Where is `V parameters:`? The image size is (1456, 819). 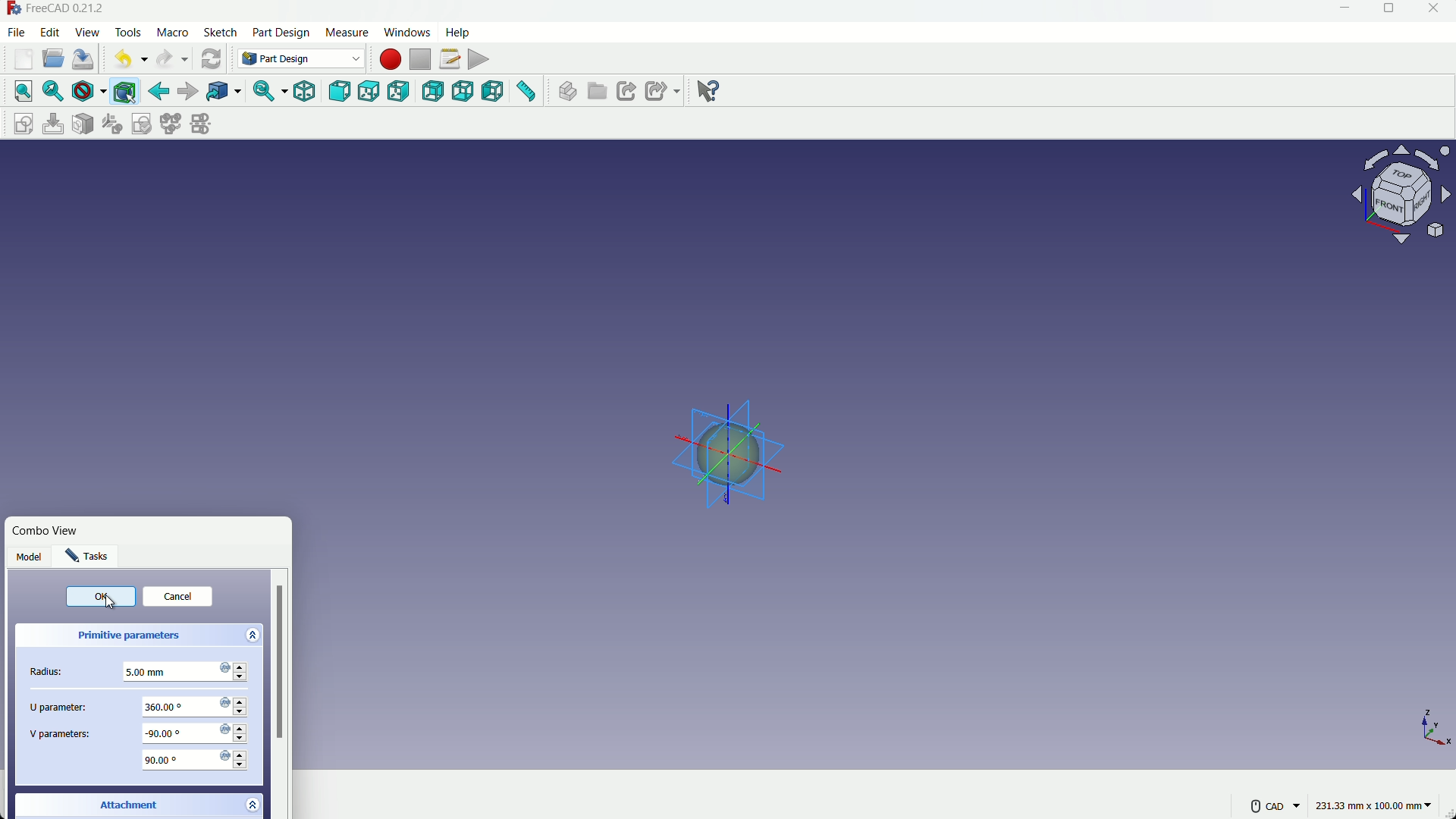 V parameters: is located at coordinates (60, 733).